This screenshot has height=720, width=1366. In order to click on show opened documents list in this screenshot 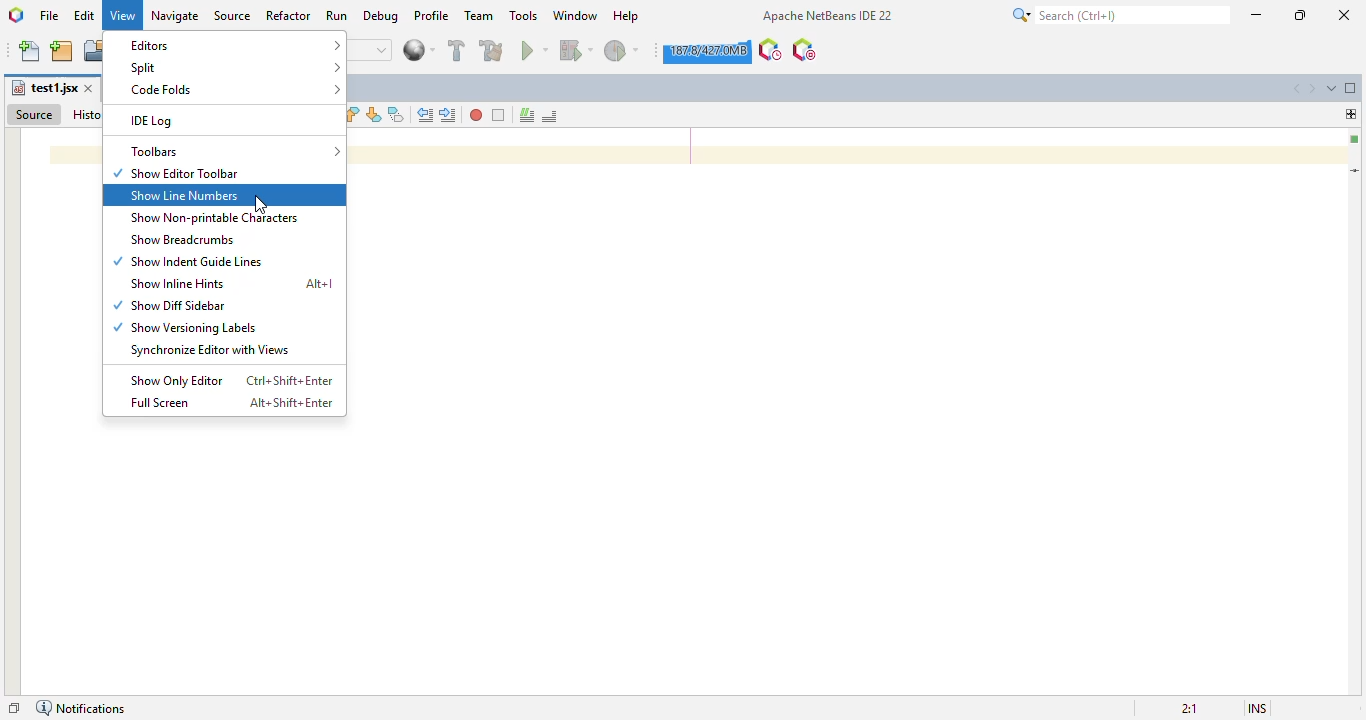, I will do `click(1332, 88)`.